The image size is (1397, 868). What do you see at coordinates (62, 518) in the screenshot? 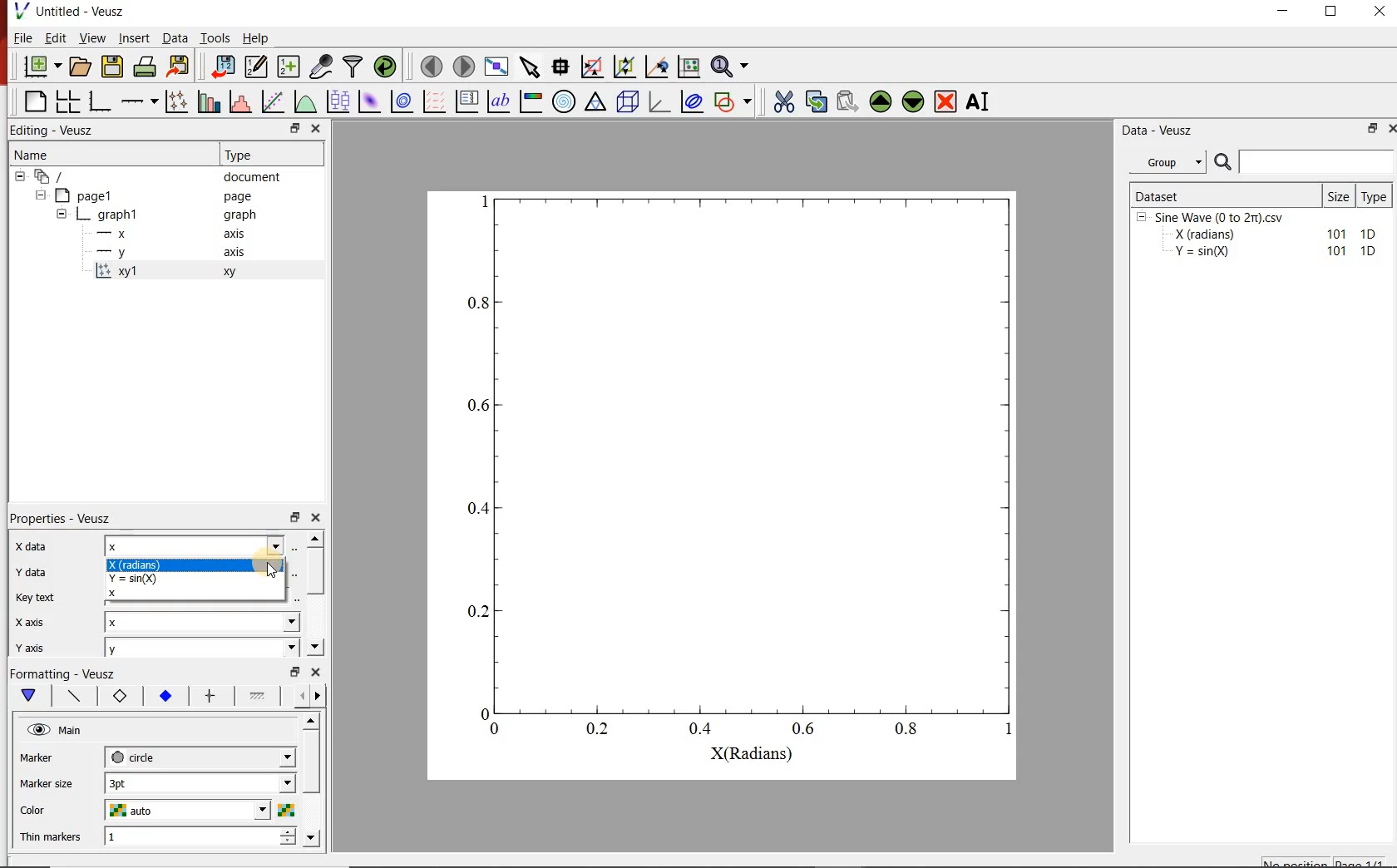
I see `Properties - Veusz` at bounding box center [62, 518].